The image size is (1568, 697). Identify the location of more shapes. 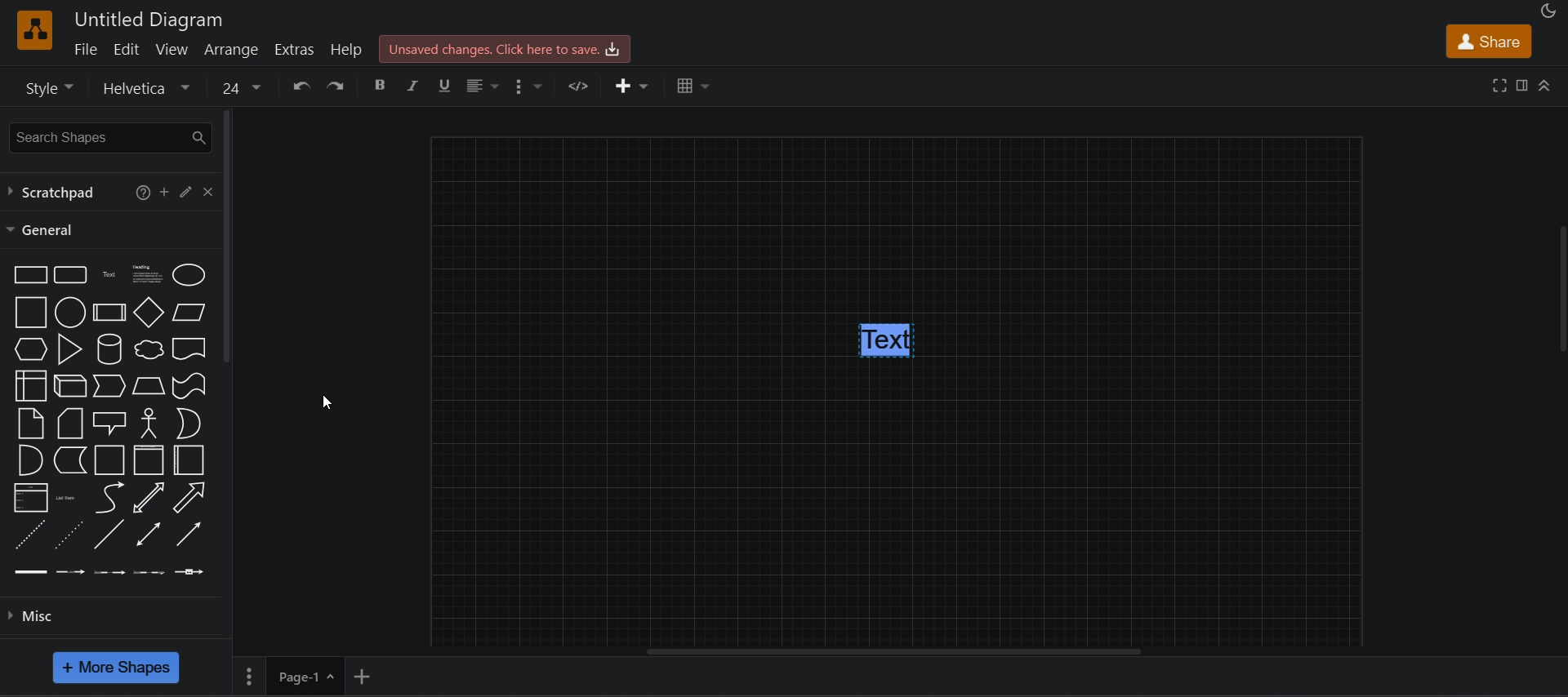
(116, 668).